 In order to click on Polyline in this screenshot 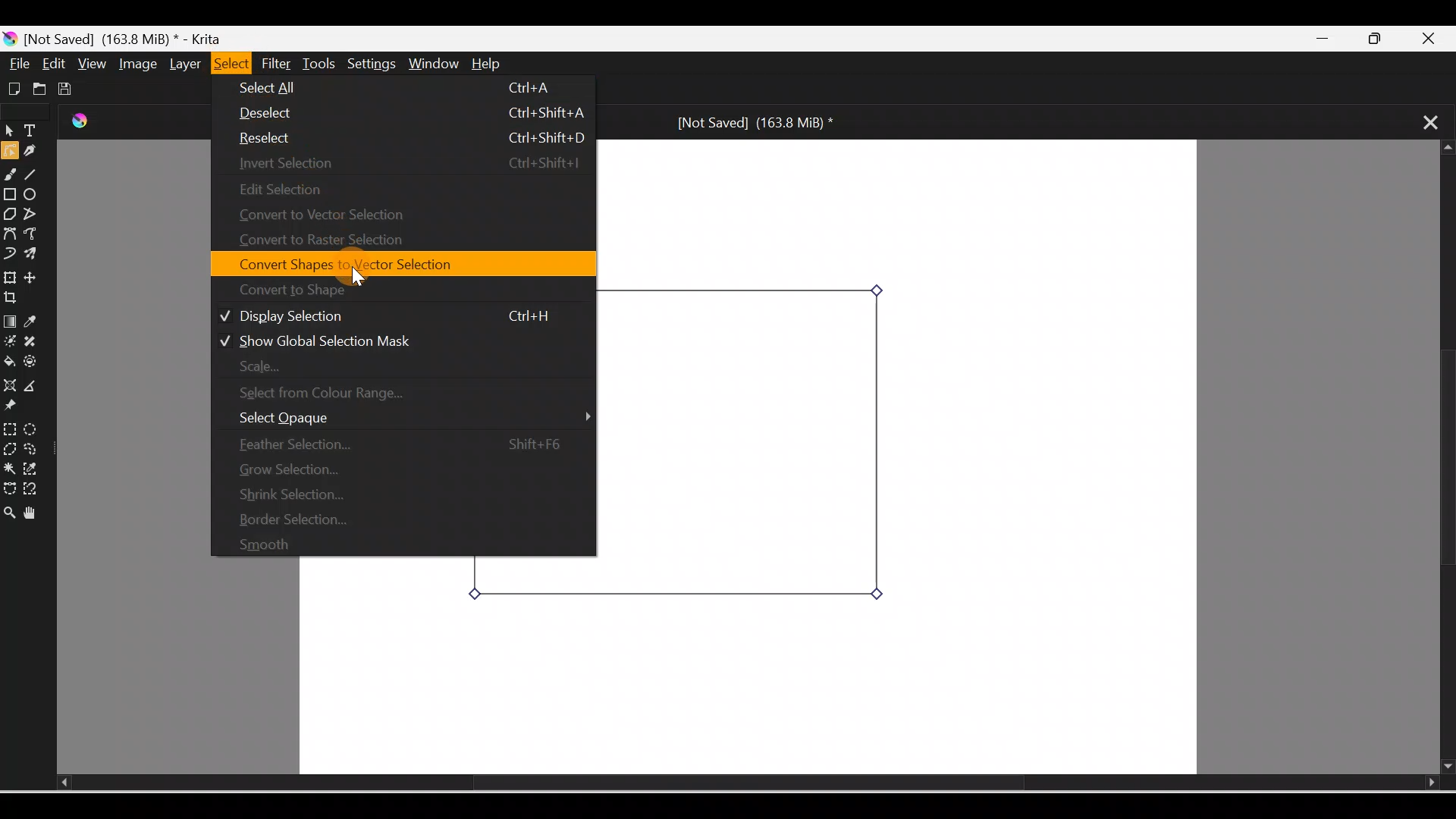, I will do `click(33, 213)`.